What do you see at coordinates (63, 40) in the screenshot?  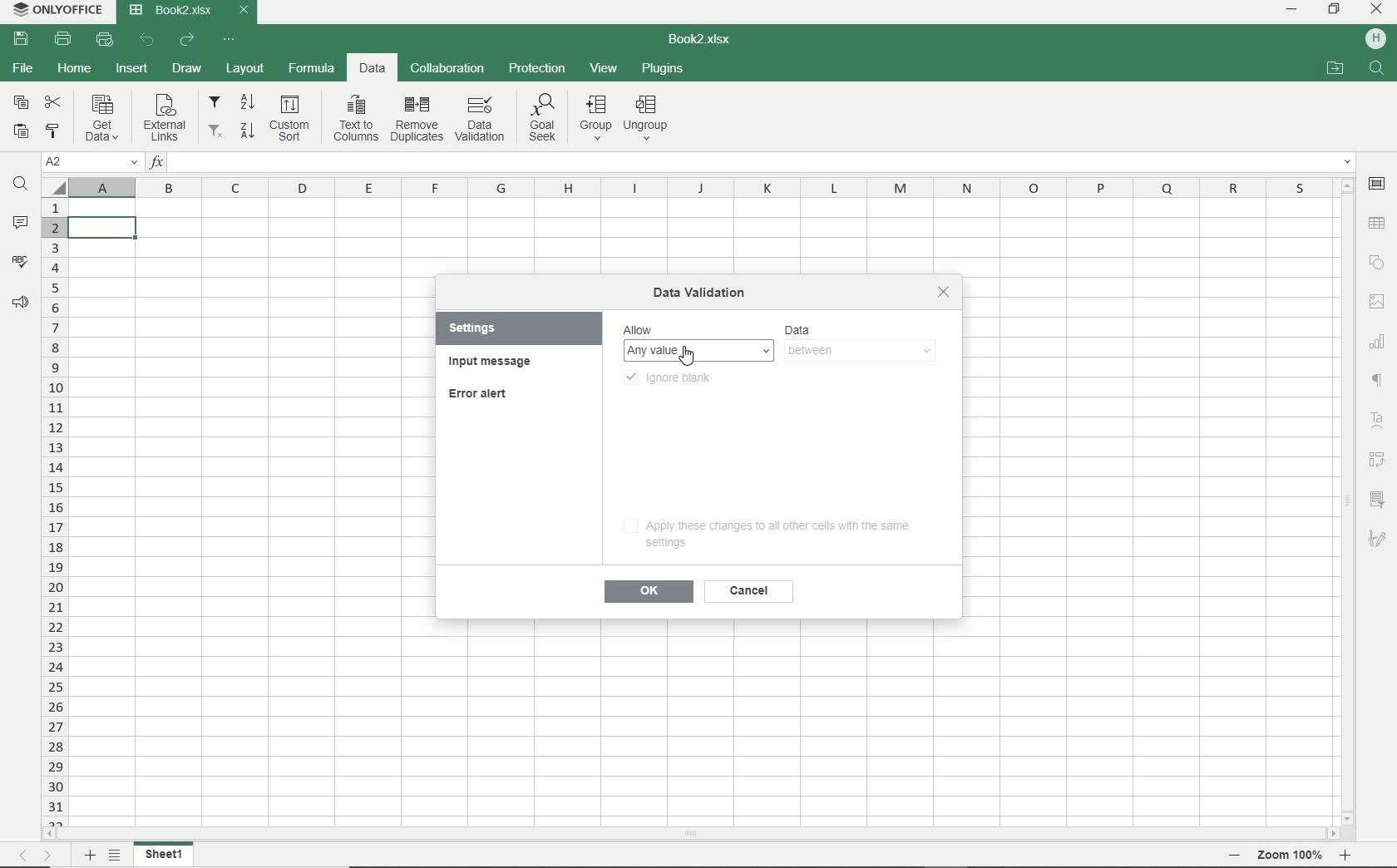 I see `PRINT` at bounding box center [63, 40].